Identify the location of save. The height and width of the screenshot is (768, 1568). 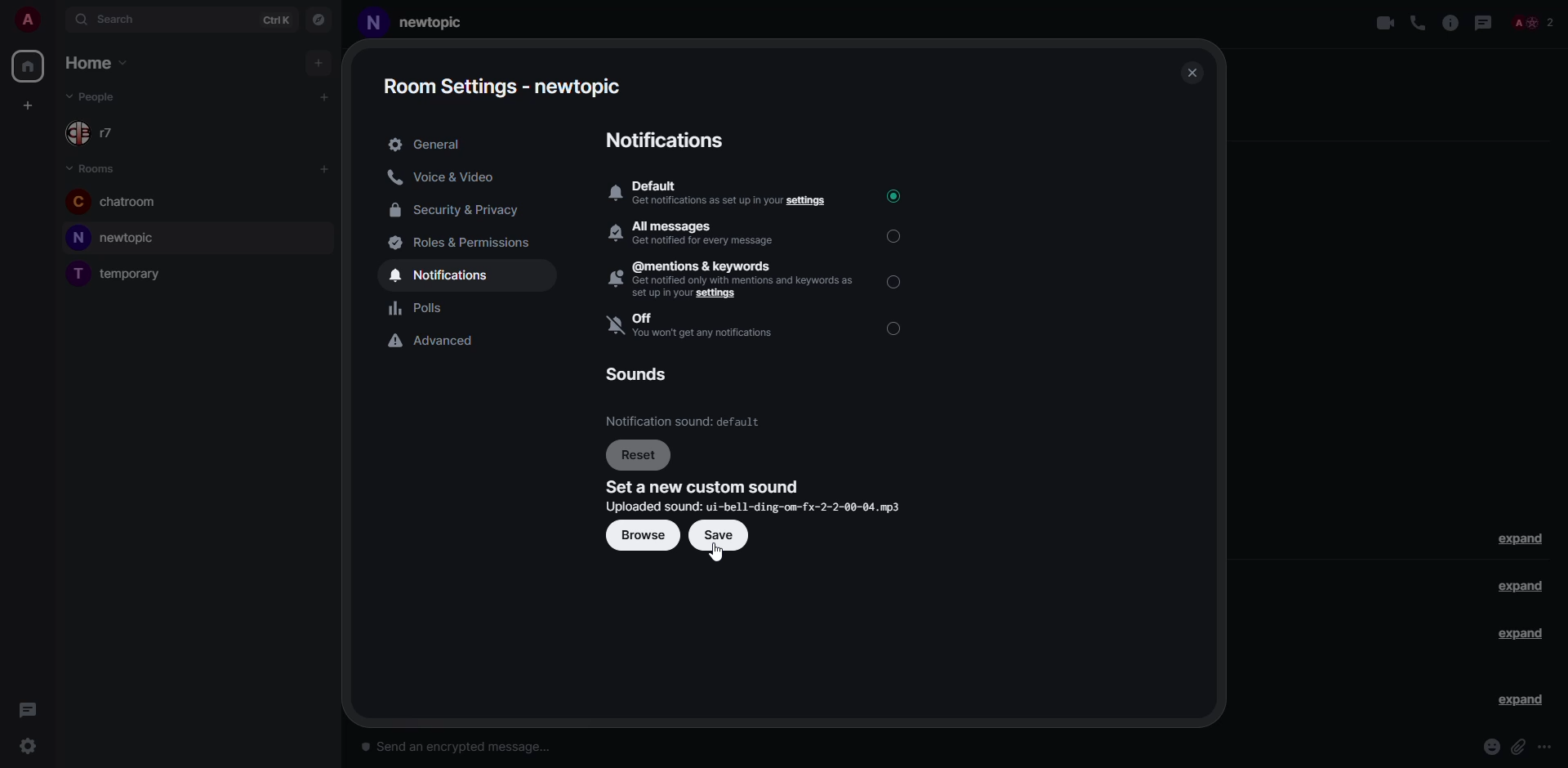
(718, 535).